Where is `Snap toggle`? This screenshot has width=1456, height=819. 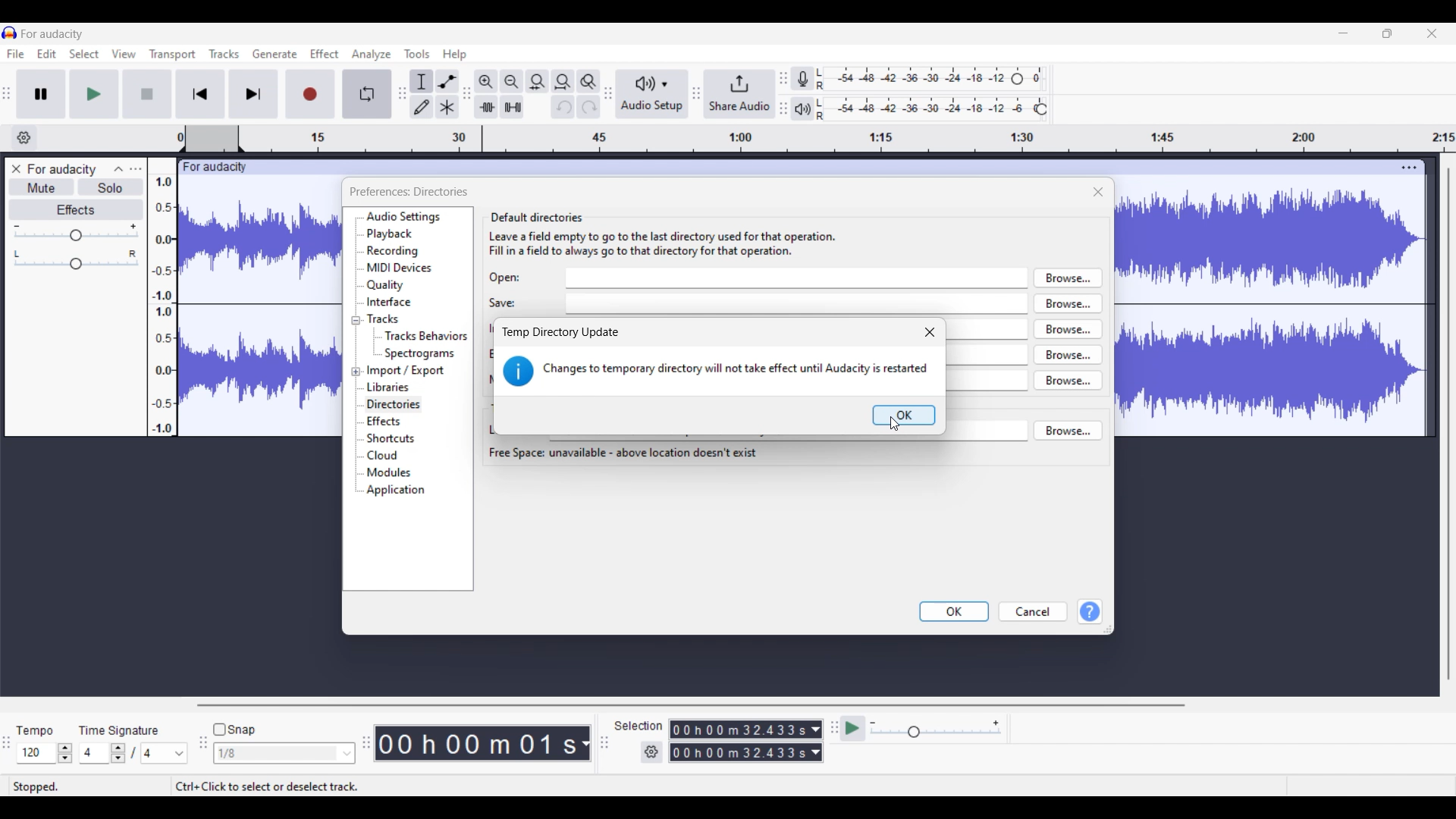 Snap toggle is located at coordinates (235, 730).